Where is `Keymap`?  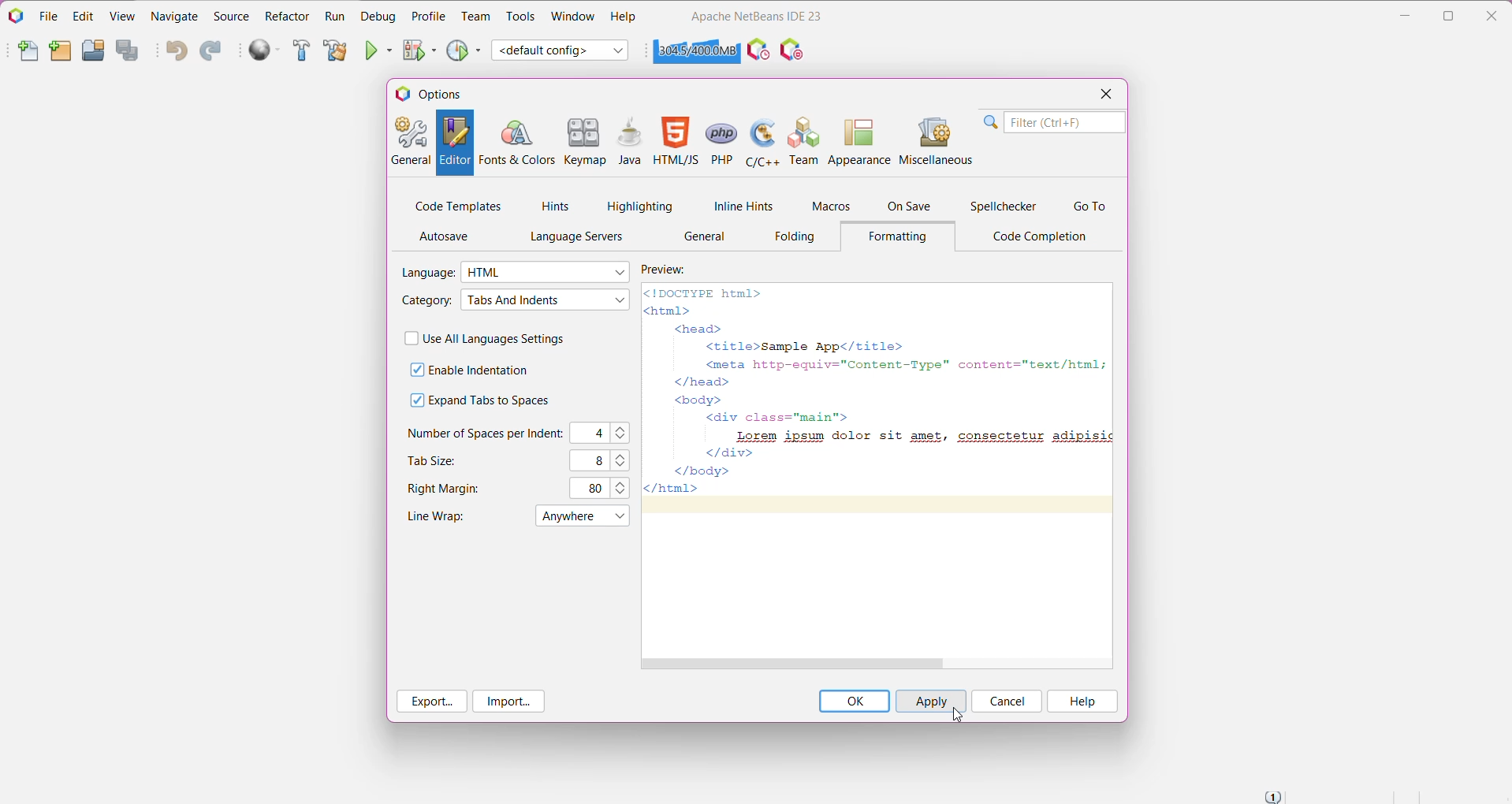 Keymap is located at coordinates (586, 143).